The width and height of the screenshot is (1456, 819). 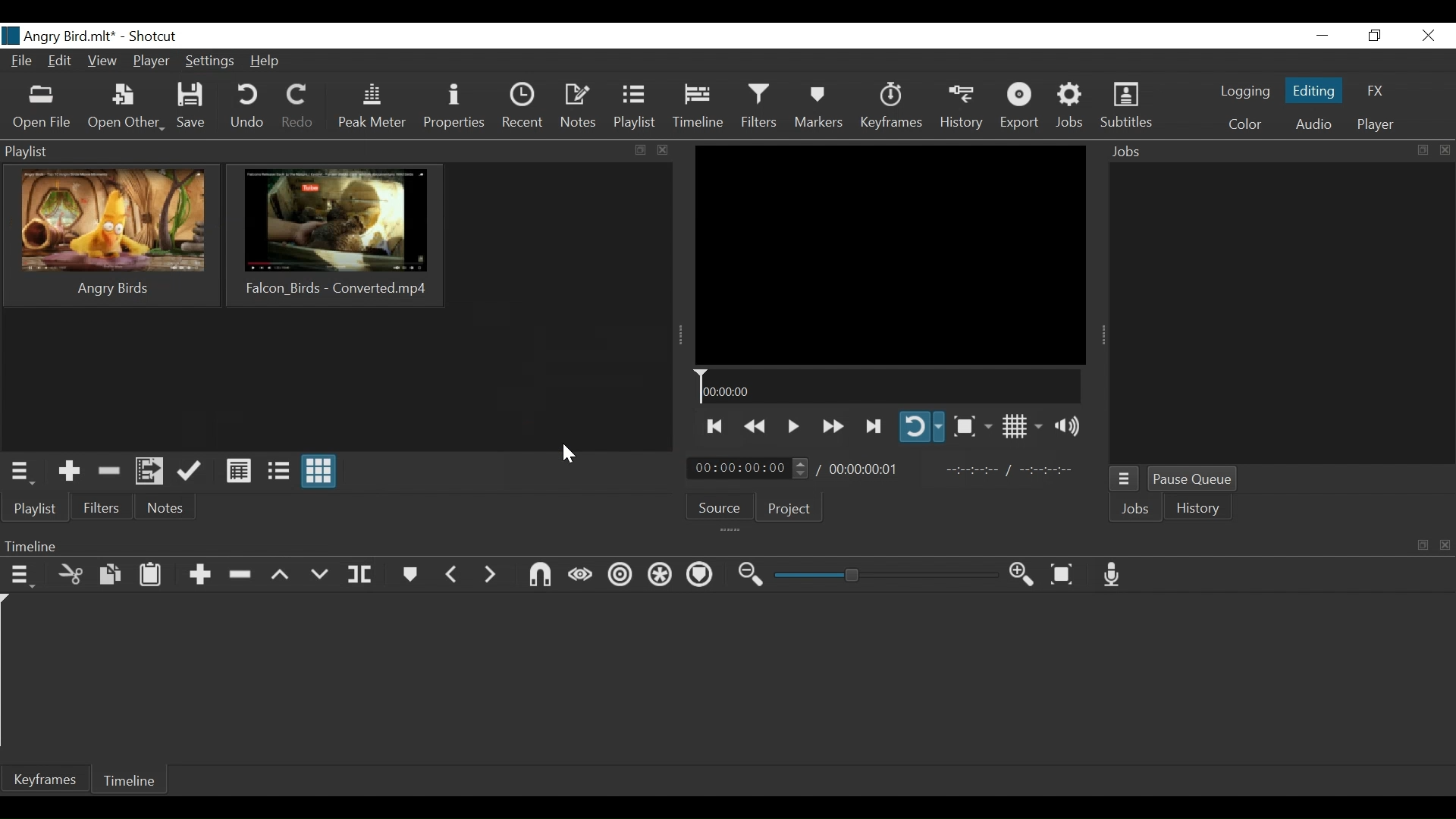 I want to click on Help, so click(x=266, y=63).